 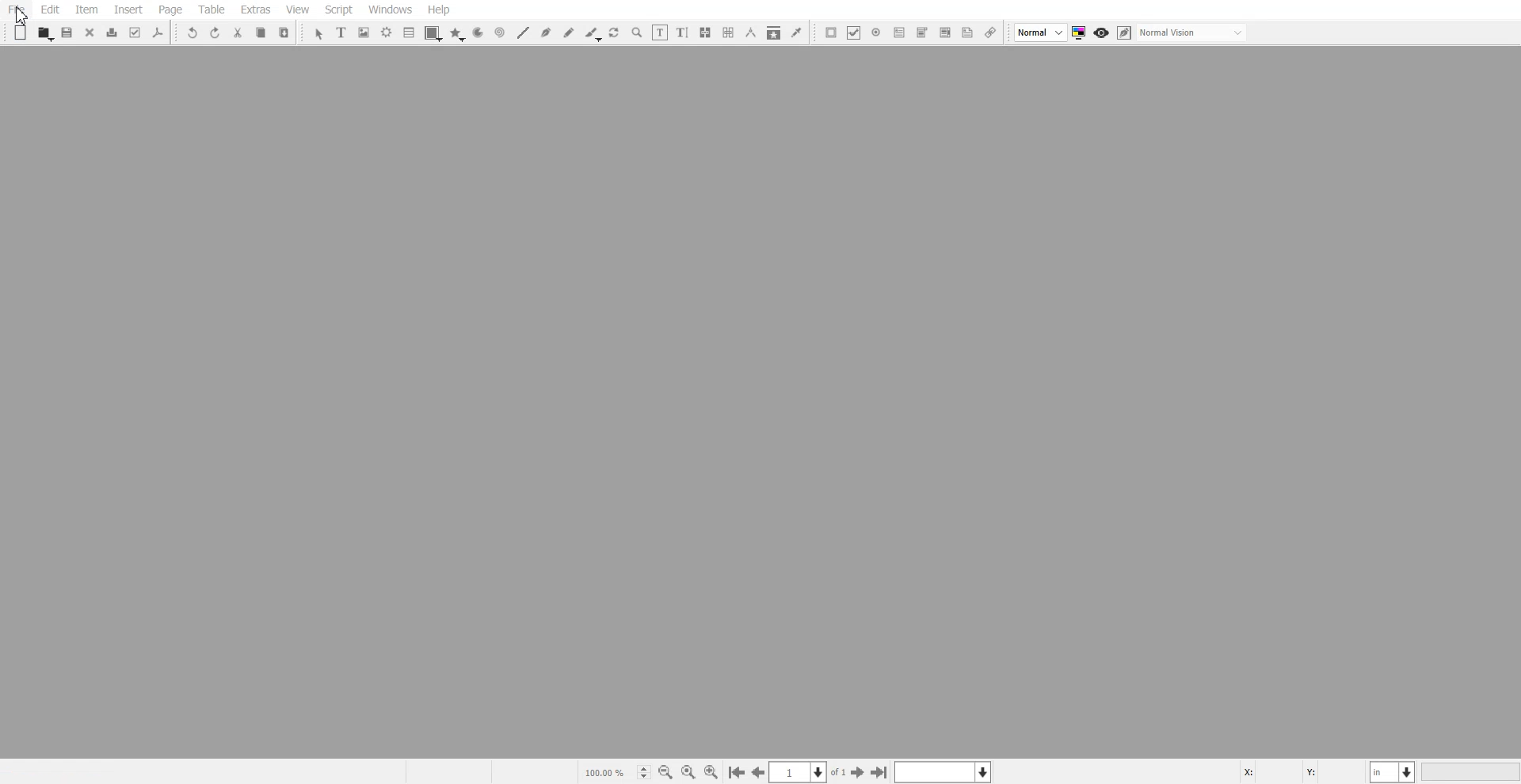 What do you see at coordinates (593, 34) in the screenshot?
I see `Calligraphic line` at bounding box center [593, 34].